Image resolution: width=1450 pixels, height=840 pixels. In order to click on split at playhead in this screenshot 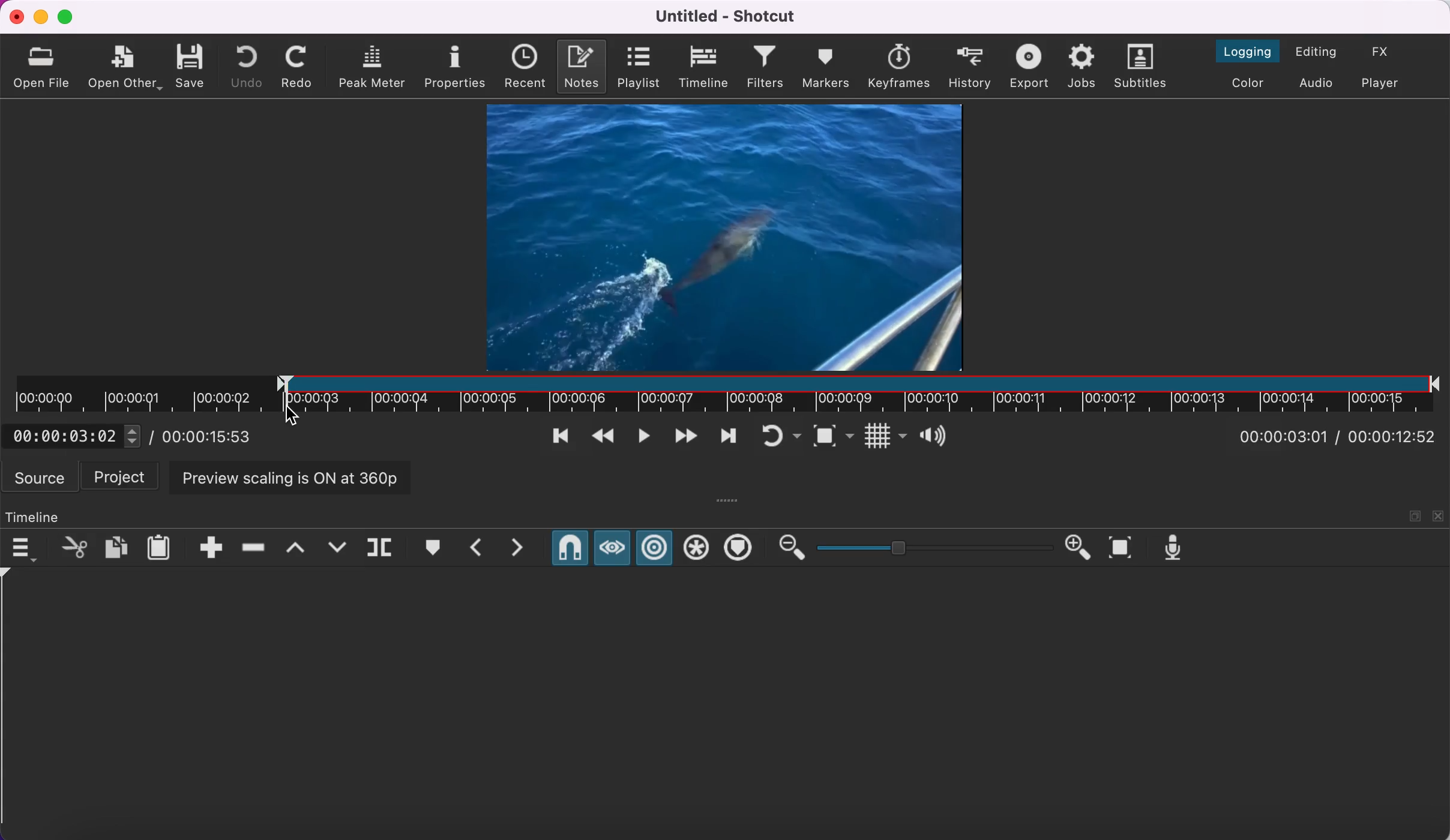, I will do `click(380, 547)`.